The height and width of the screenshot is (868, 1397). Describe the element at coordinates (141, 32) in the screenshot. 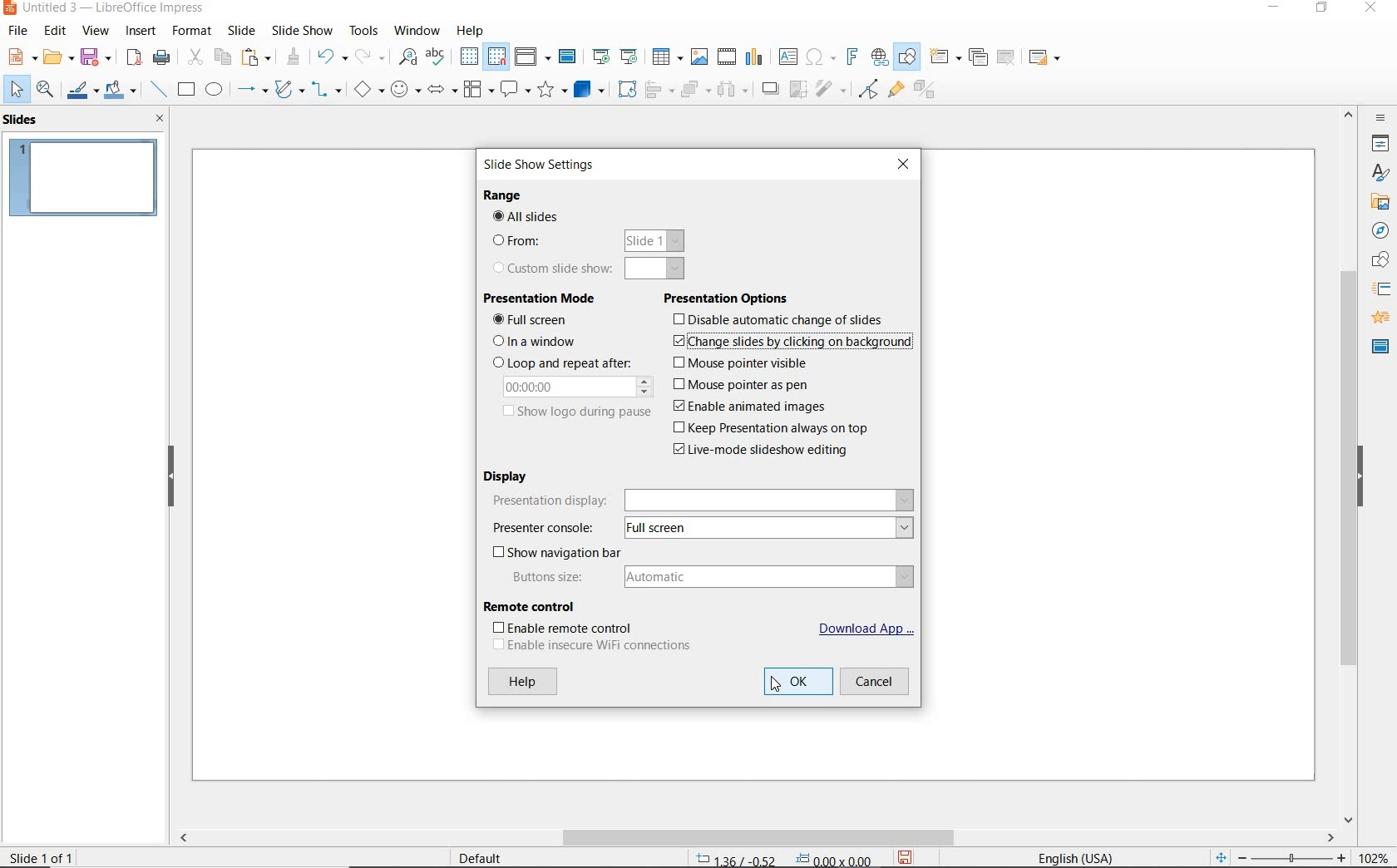

I see `INSERT` at that location.